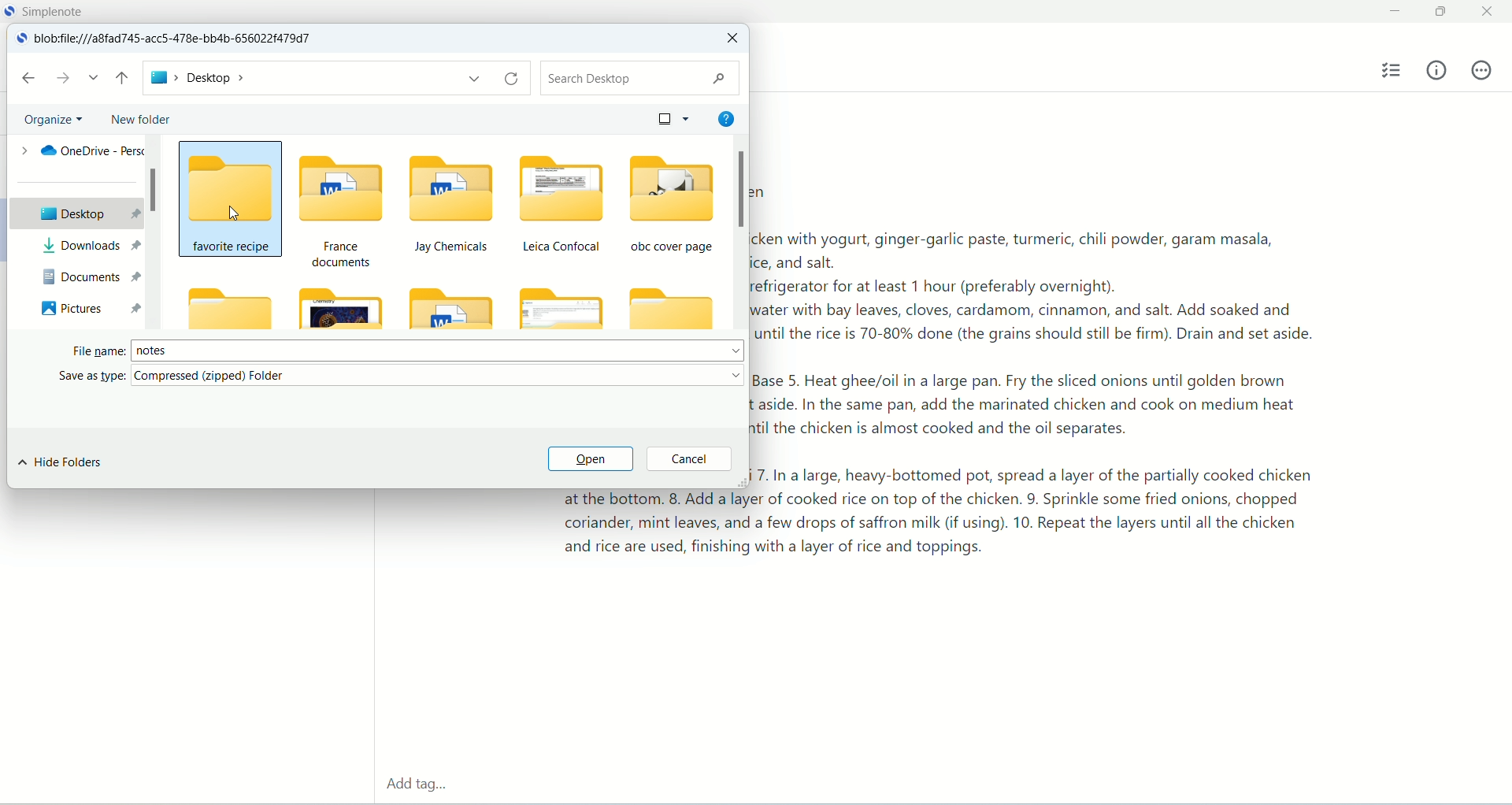 This screenshot has height=805, width=1512. What do you see at coordinates (335, 79) in the screenshot?
I see `desktop` at bounding box center [335, 79].